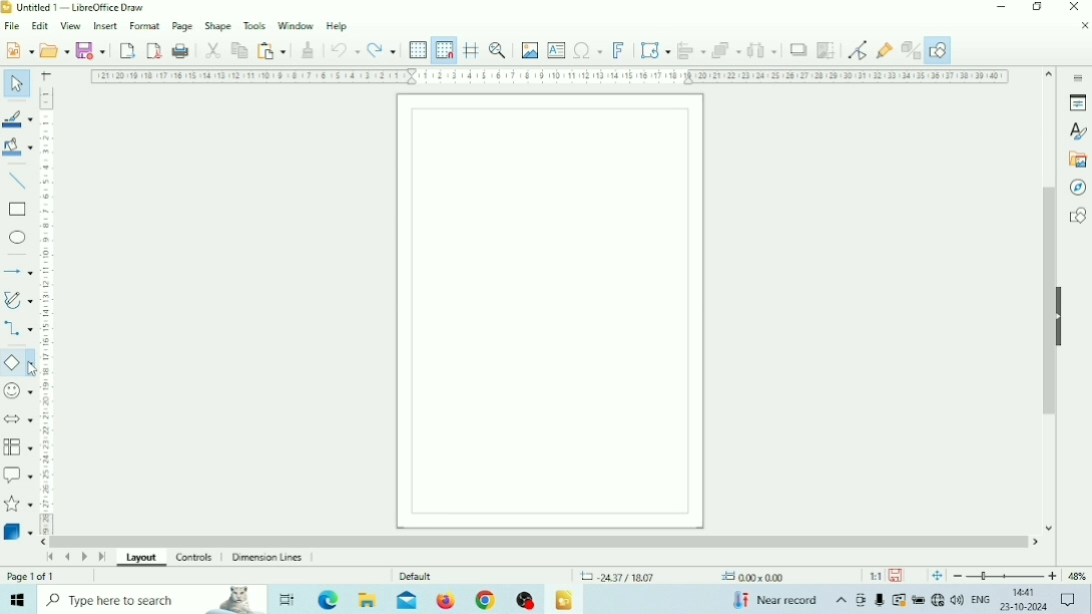 Image resolution: width=1092 pixels, height=614 pixels. I want to click on Insert, so click(106, 25).